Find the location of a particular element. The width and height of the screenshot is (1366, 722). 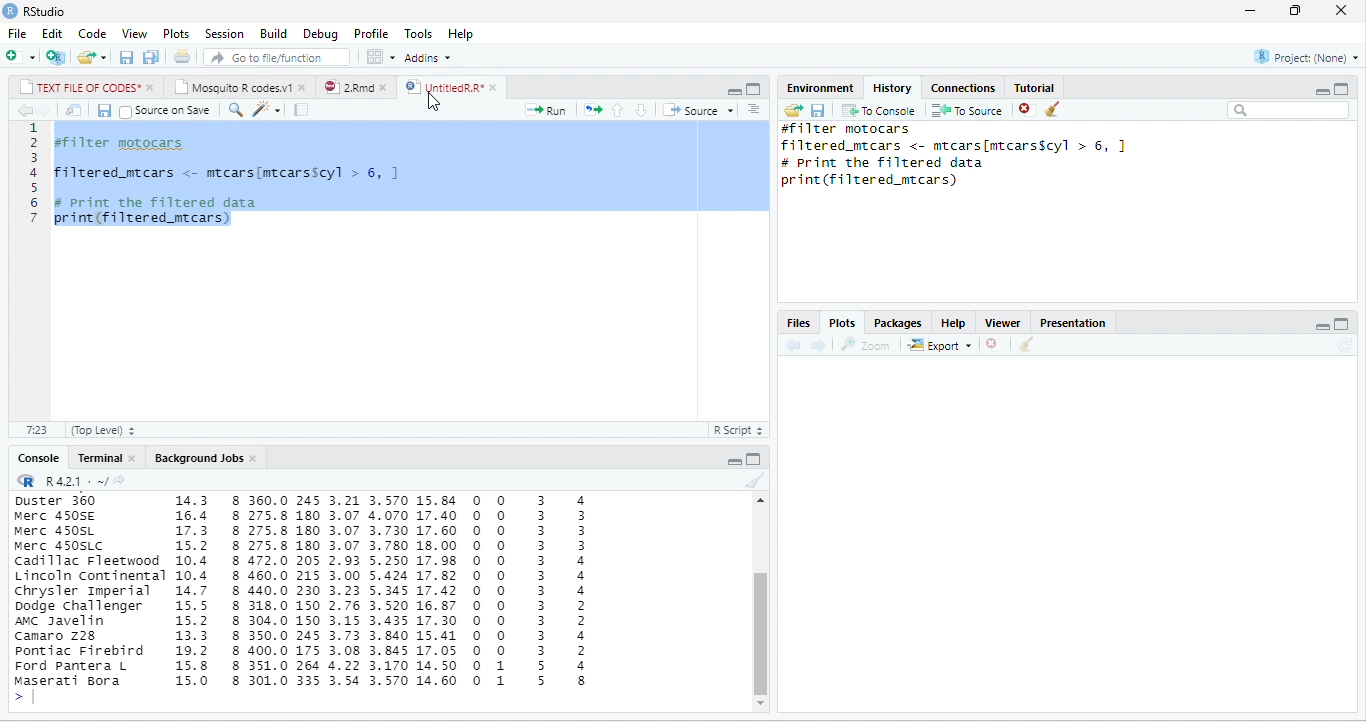

code tools is located at coordinates (267, 110).